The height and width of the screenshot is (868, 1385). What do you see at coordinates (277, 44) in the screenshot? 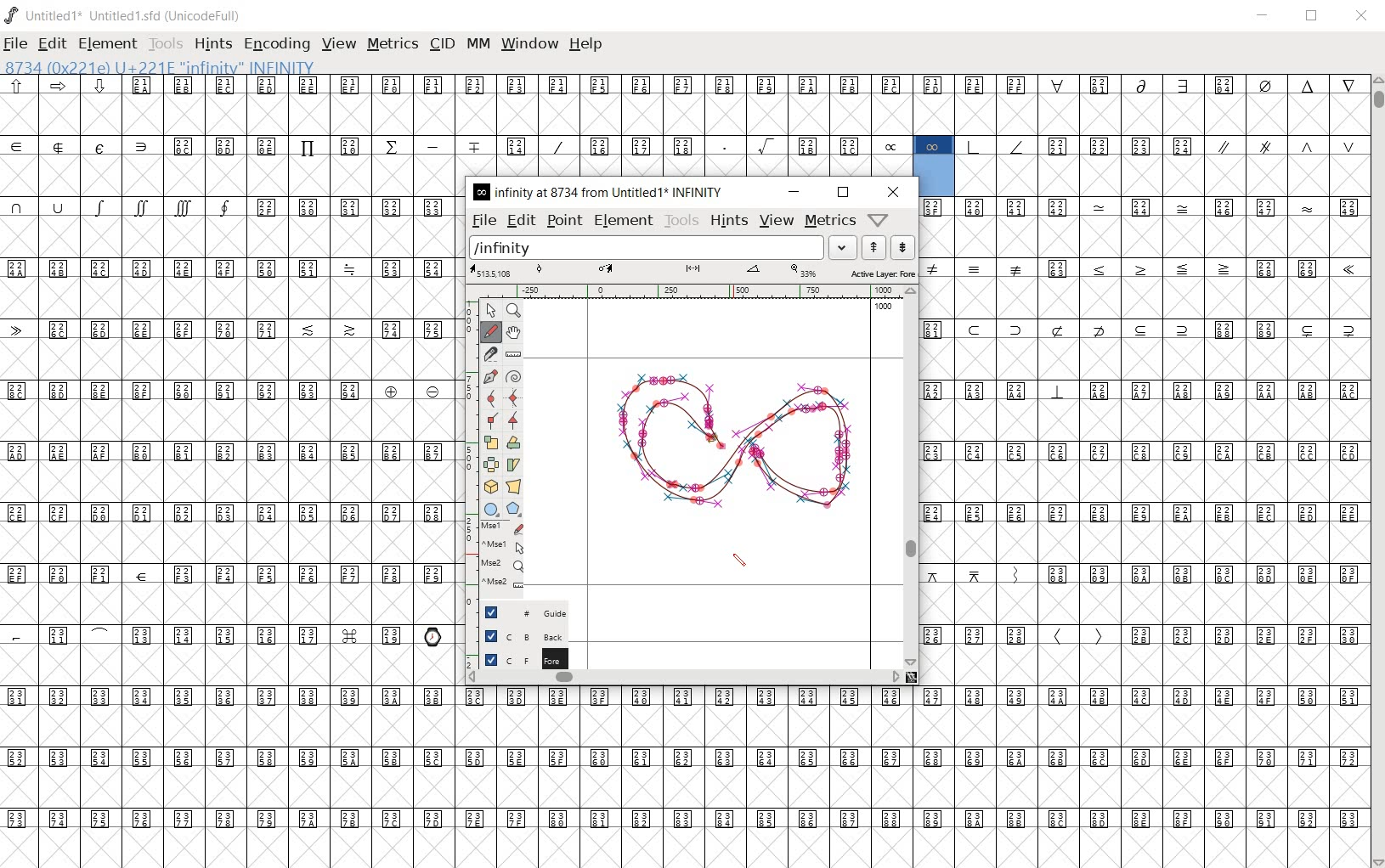
I see `encoding` at bounding box center [277, 44].